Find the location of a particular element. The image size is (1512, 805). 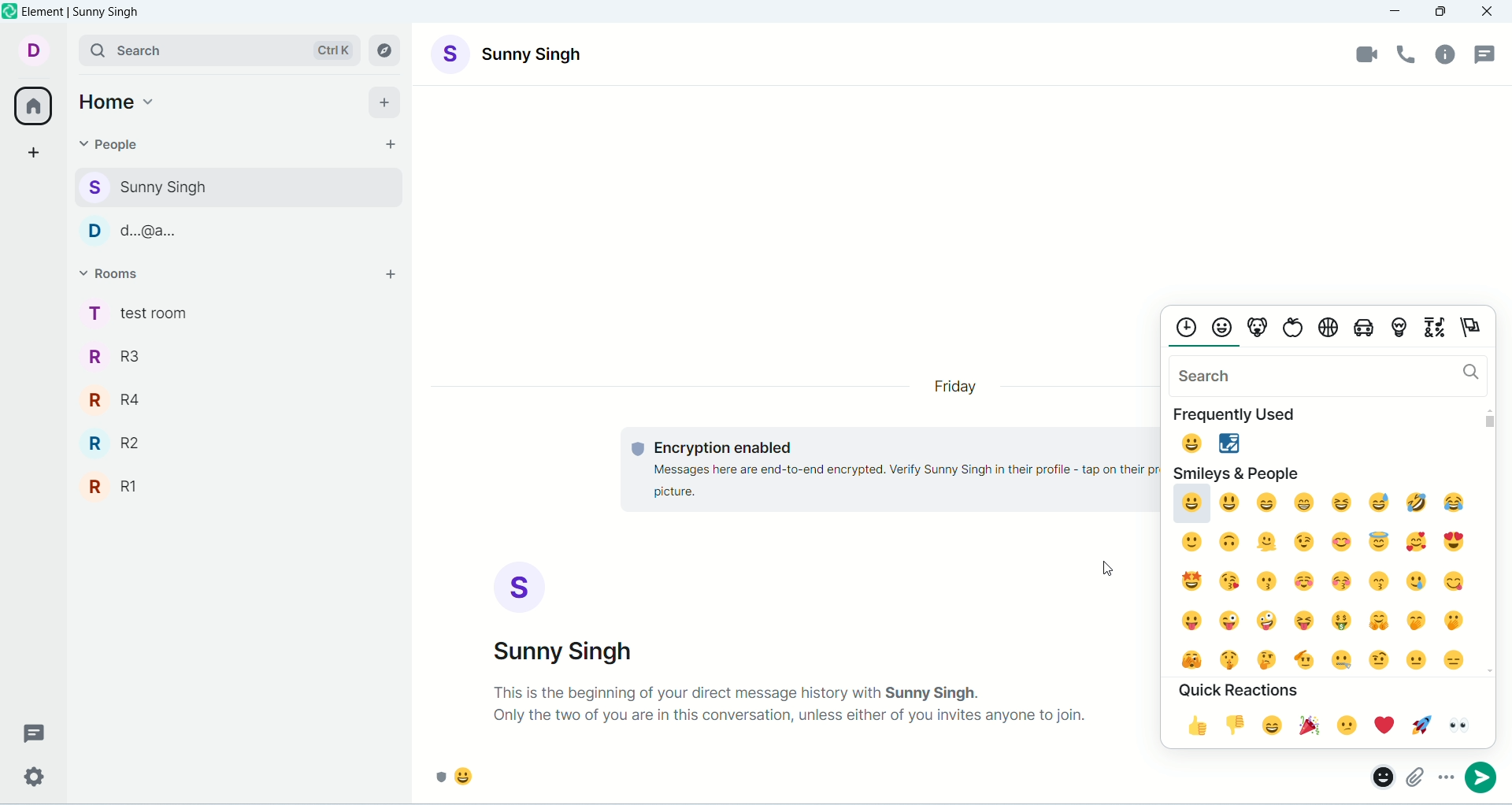

close is located at coordinates (1489, 12).